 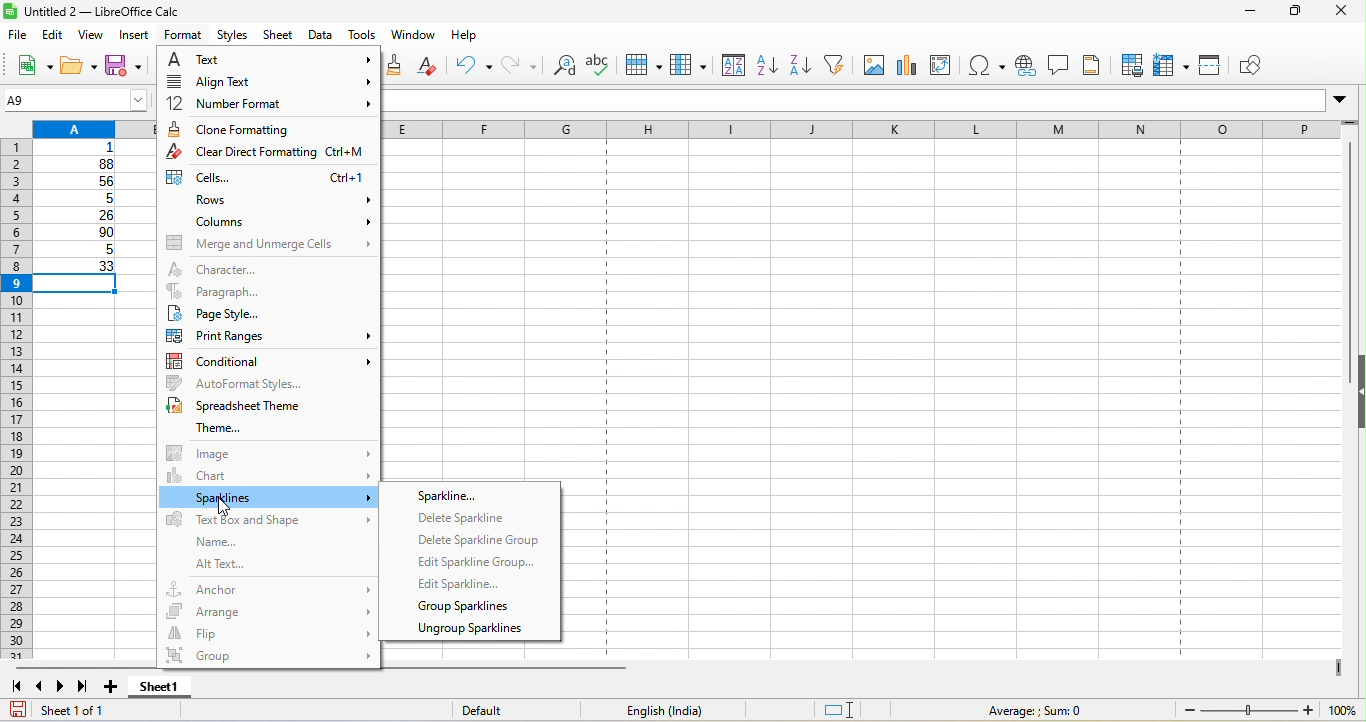 What do you see at coordinates (105, 713) in the screenshot?
I see `sheet 1 of 1` at bounding box center [105, 713].